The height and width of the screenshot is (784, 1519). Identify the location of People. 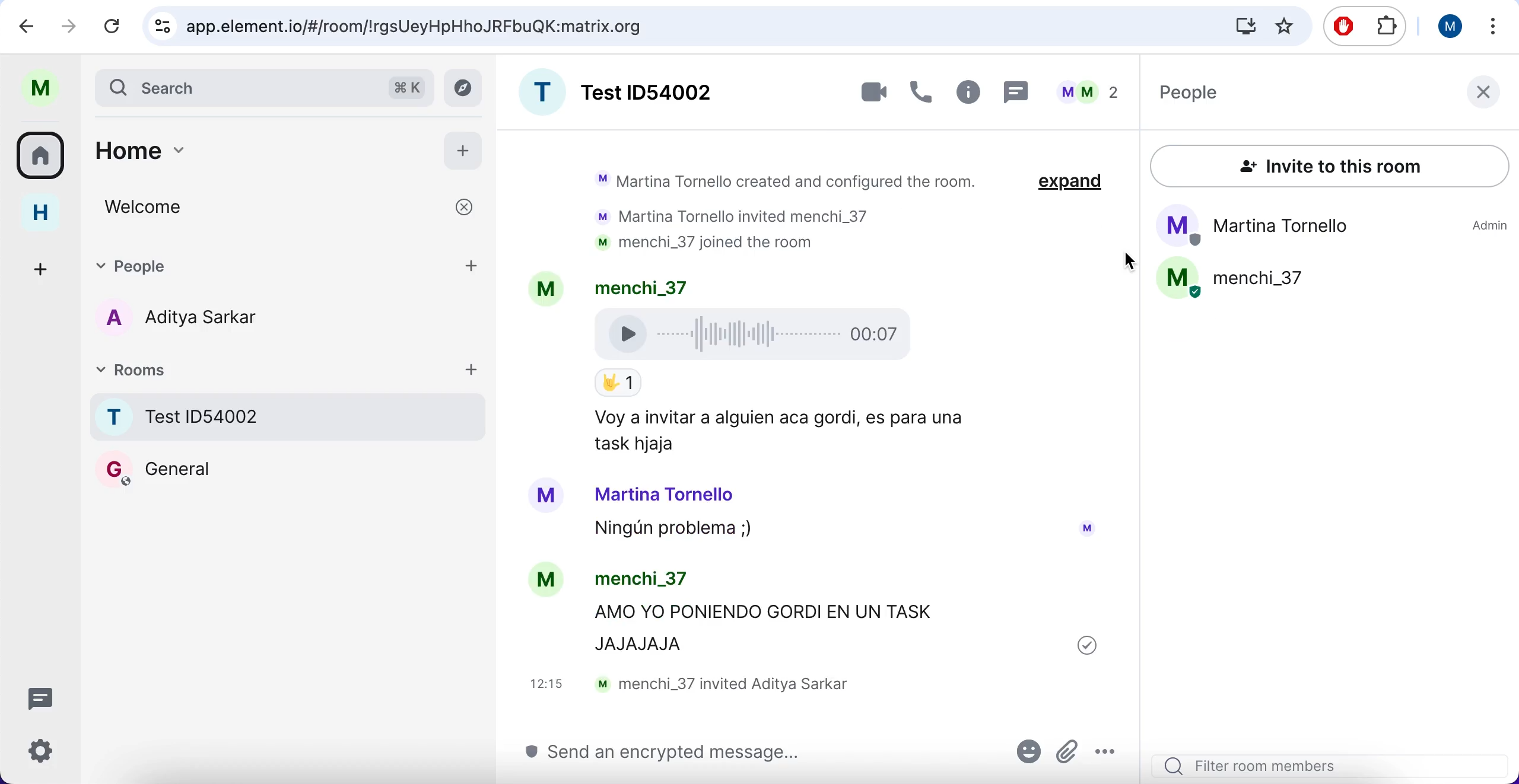
(1331, 219).